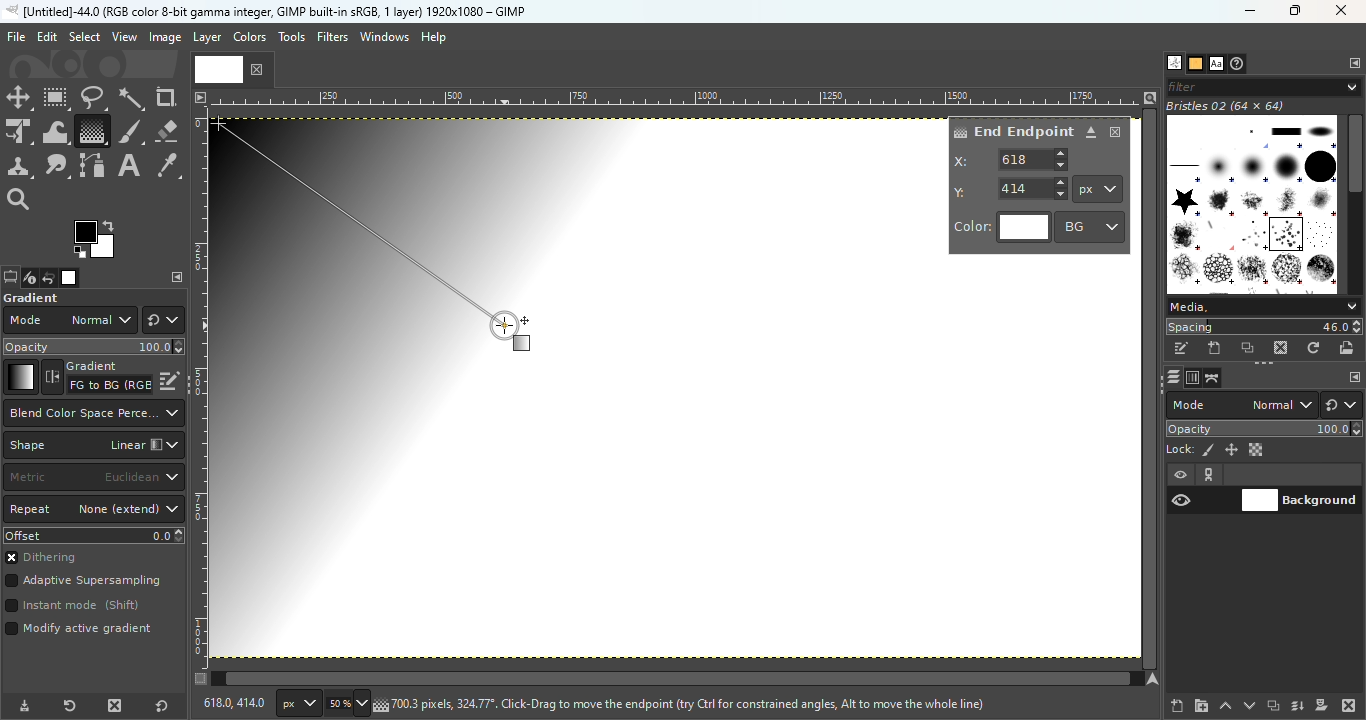 This screenshot has height=720, width=1366. What do you see at coordinates (28, 279) in the screenshot?
I see `Open the device status dialog` at bounding box center [28, 279].